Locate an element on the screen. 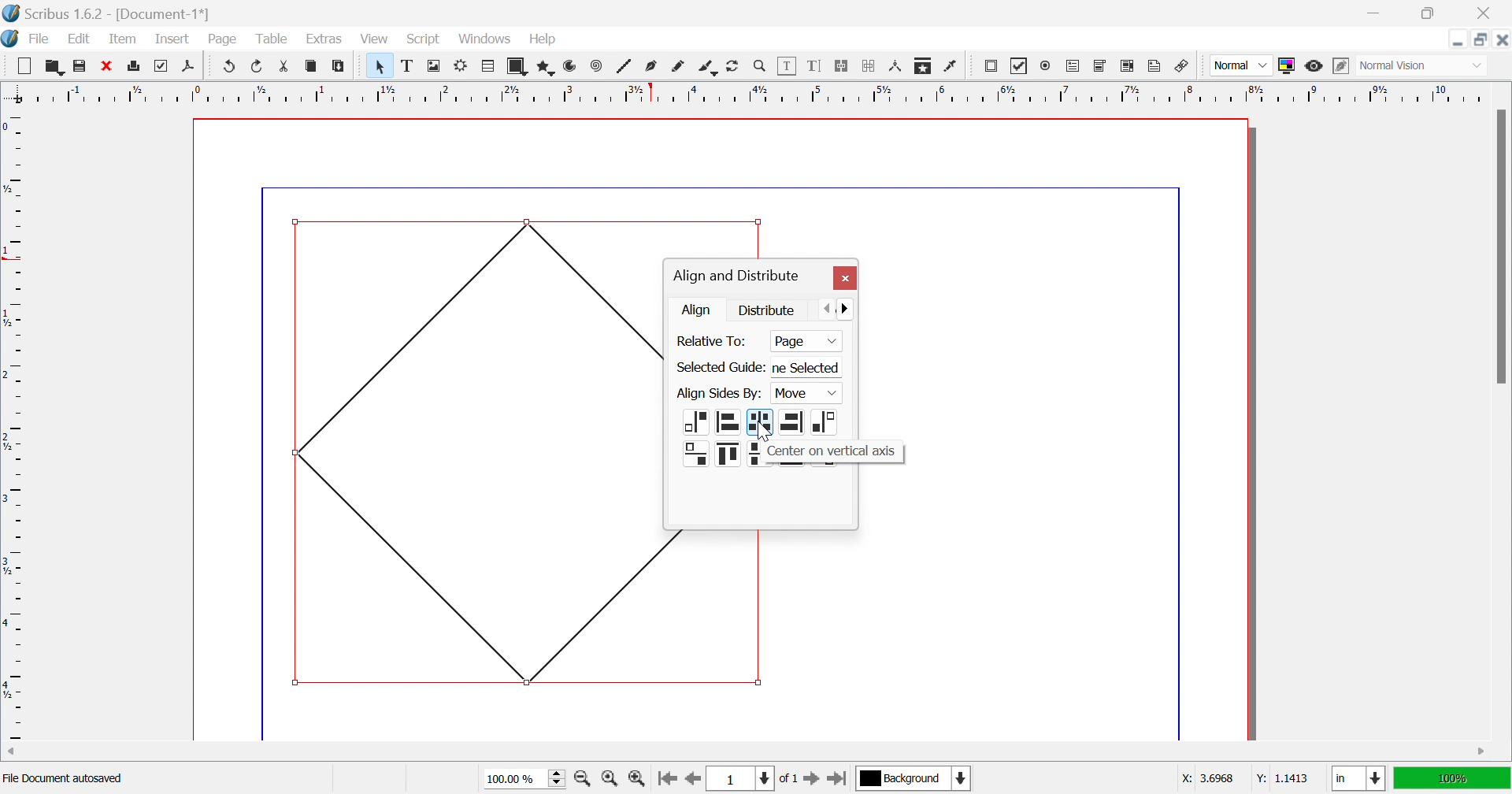  Image frame is located at coordinates (435, 65).